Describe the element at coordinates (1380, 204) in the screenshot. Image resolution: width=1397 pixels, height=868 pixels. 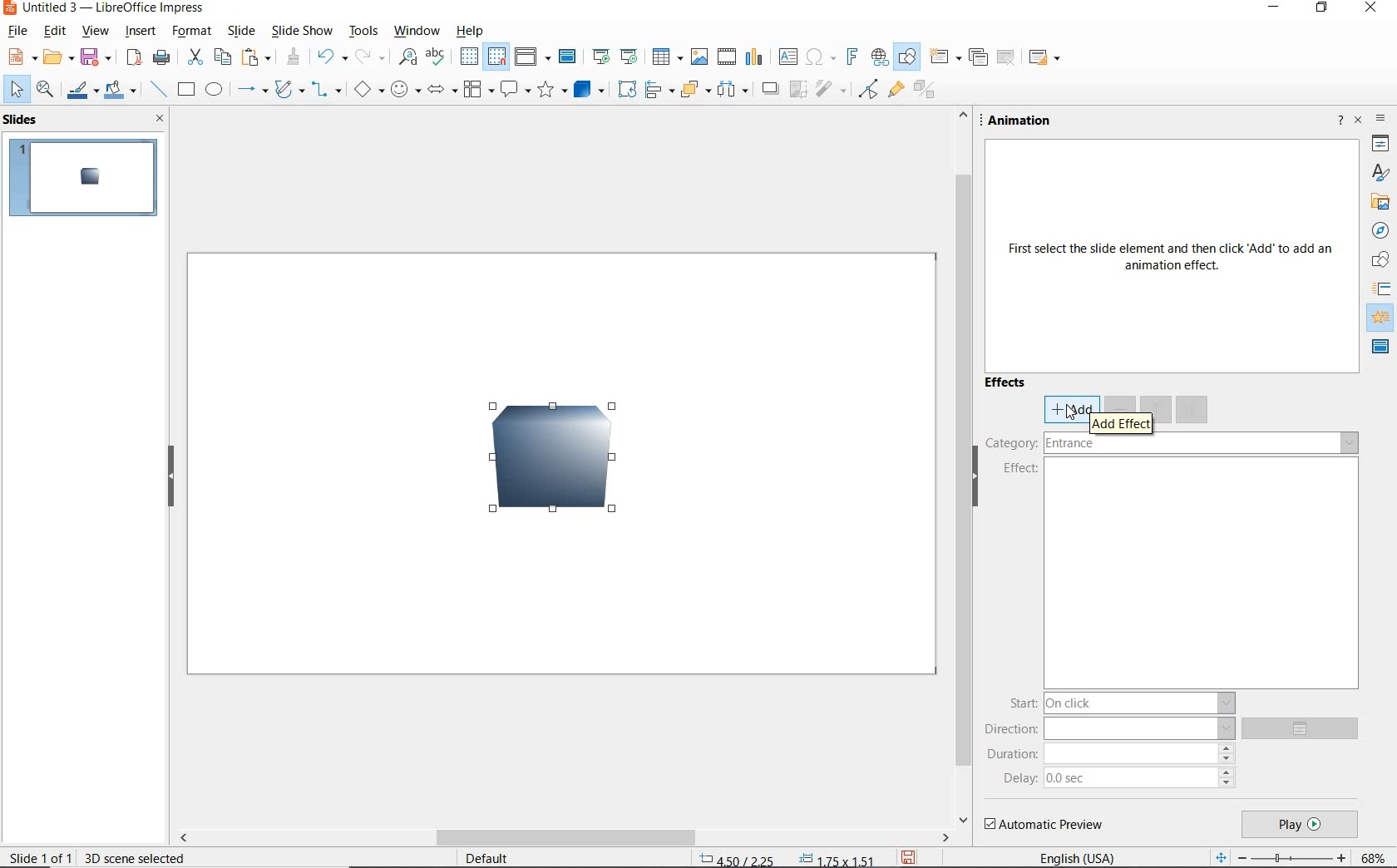
I see `GALLERY` at that location.